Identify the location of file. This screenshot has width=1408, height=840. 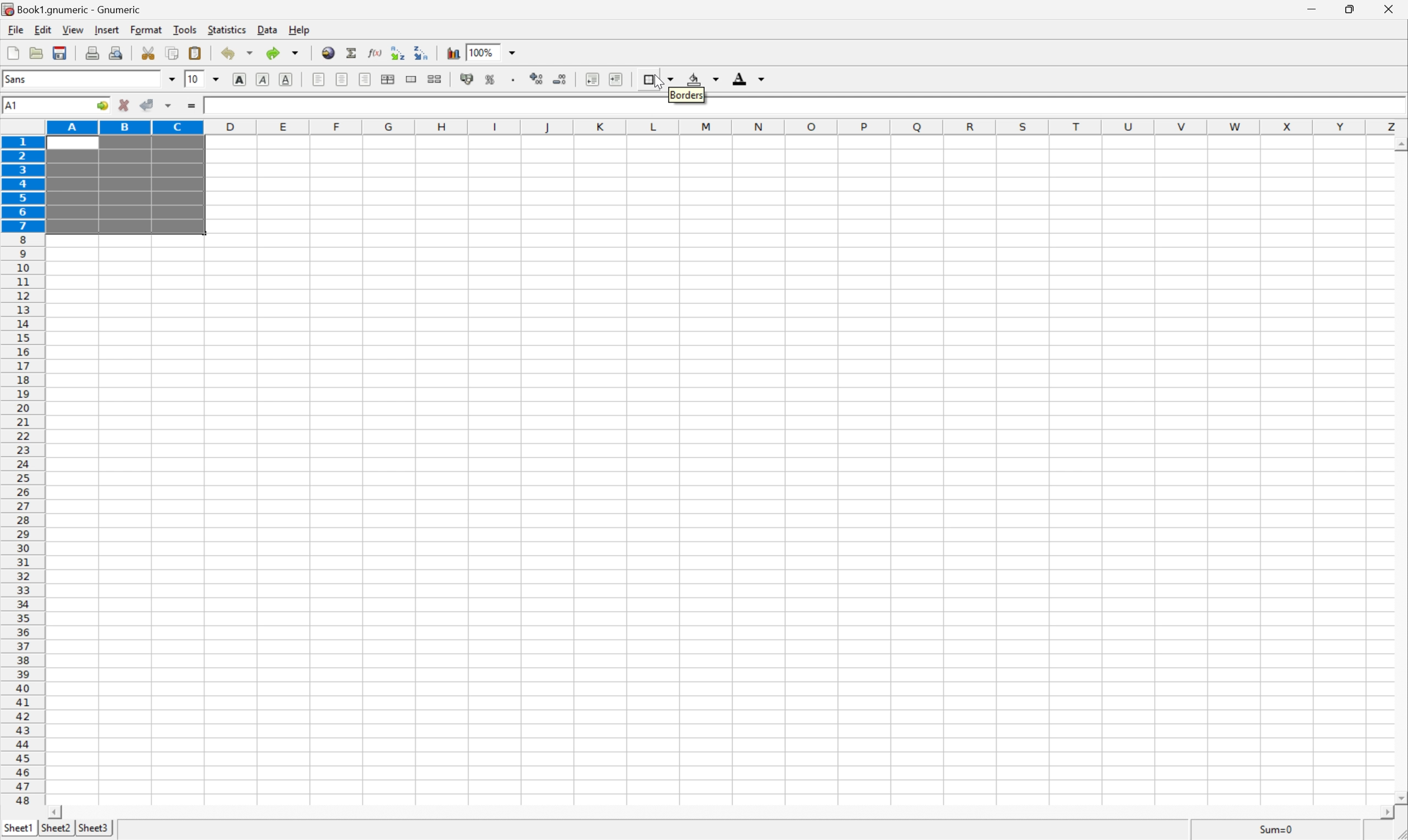
(15, 29).